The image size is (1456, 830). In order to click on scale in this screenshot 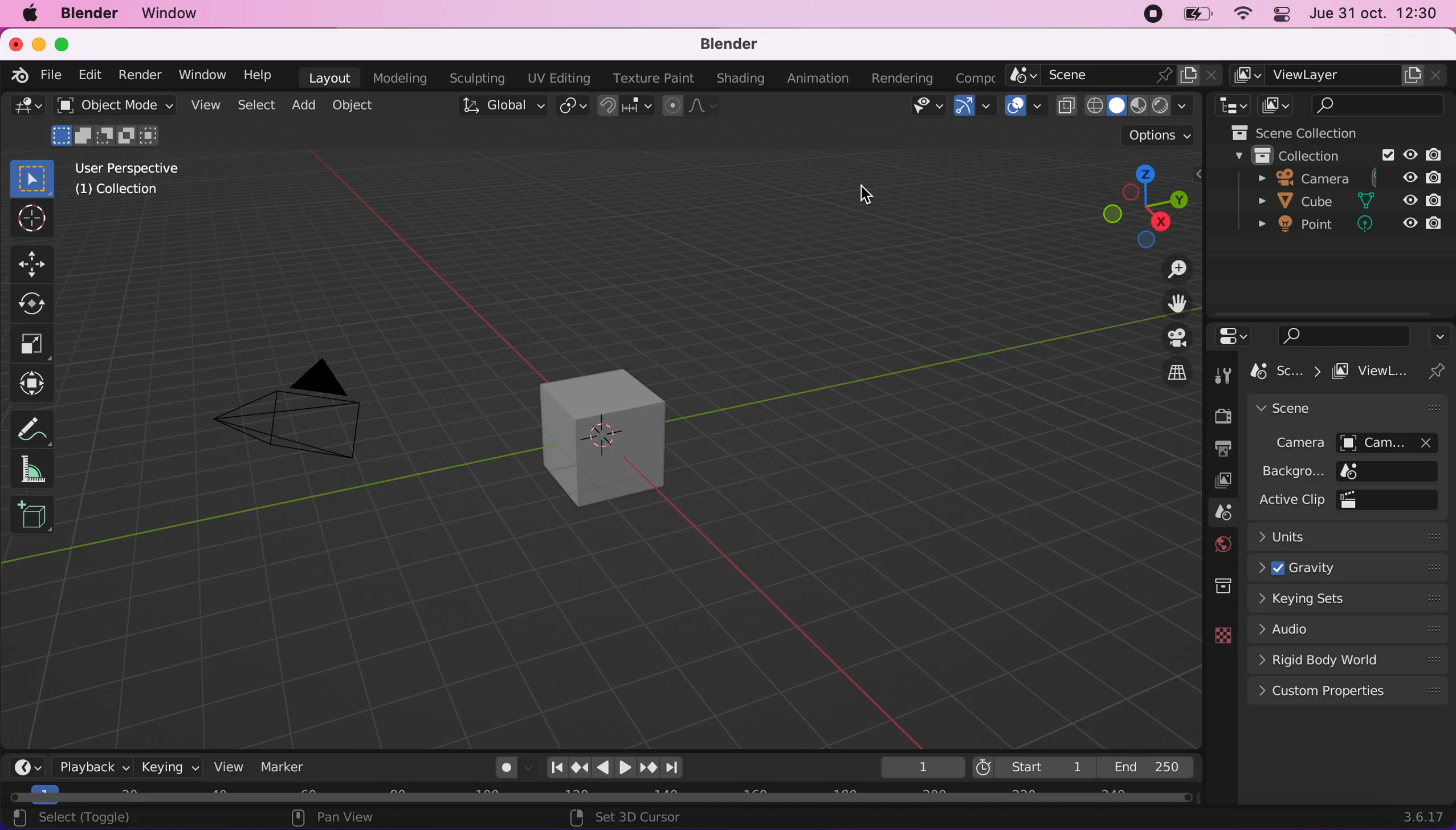, I will do `click(35, 343)`.